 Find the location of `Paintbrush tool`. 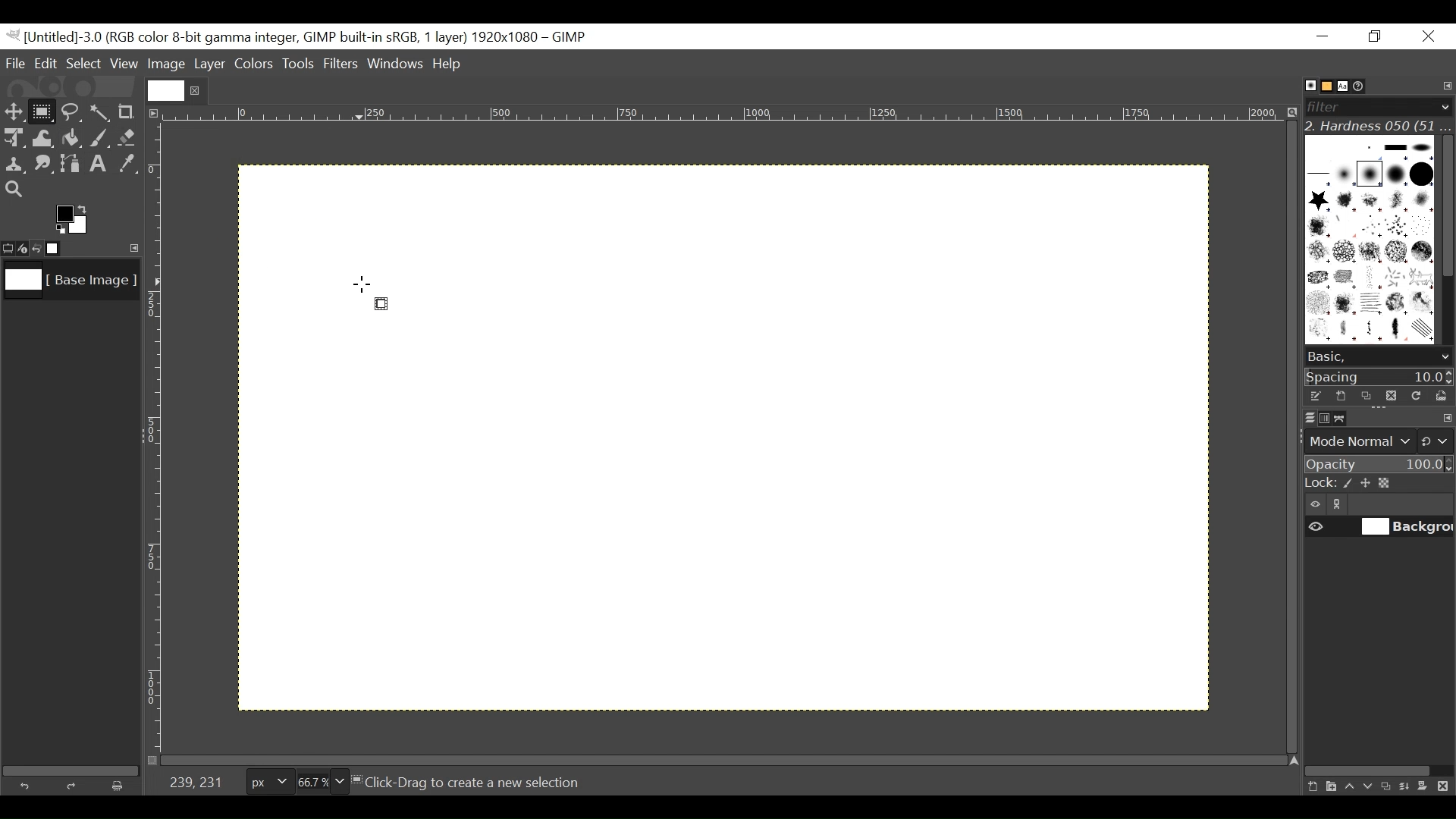

Paintbrush tool is located at coordinates (99, 140).